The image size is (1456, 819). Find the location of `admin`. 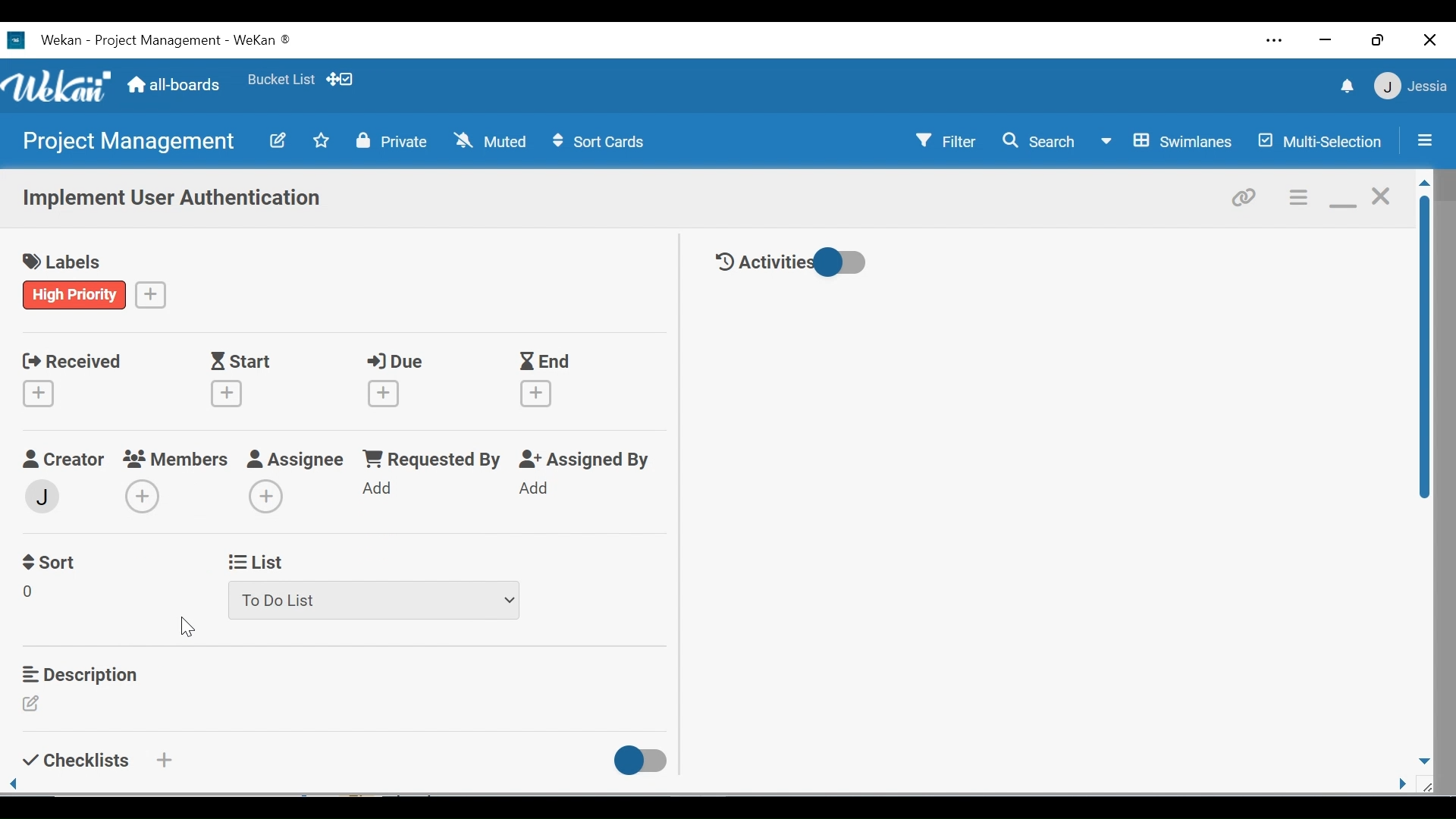

admin is located at coordinates (142, 497).